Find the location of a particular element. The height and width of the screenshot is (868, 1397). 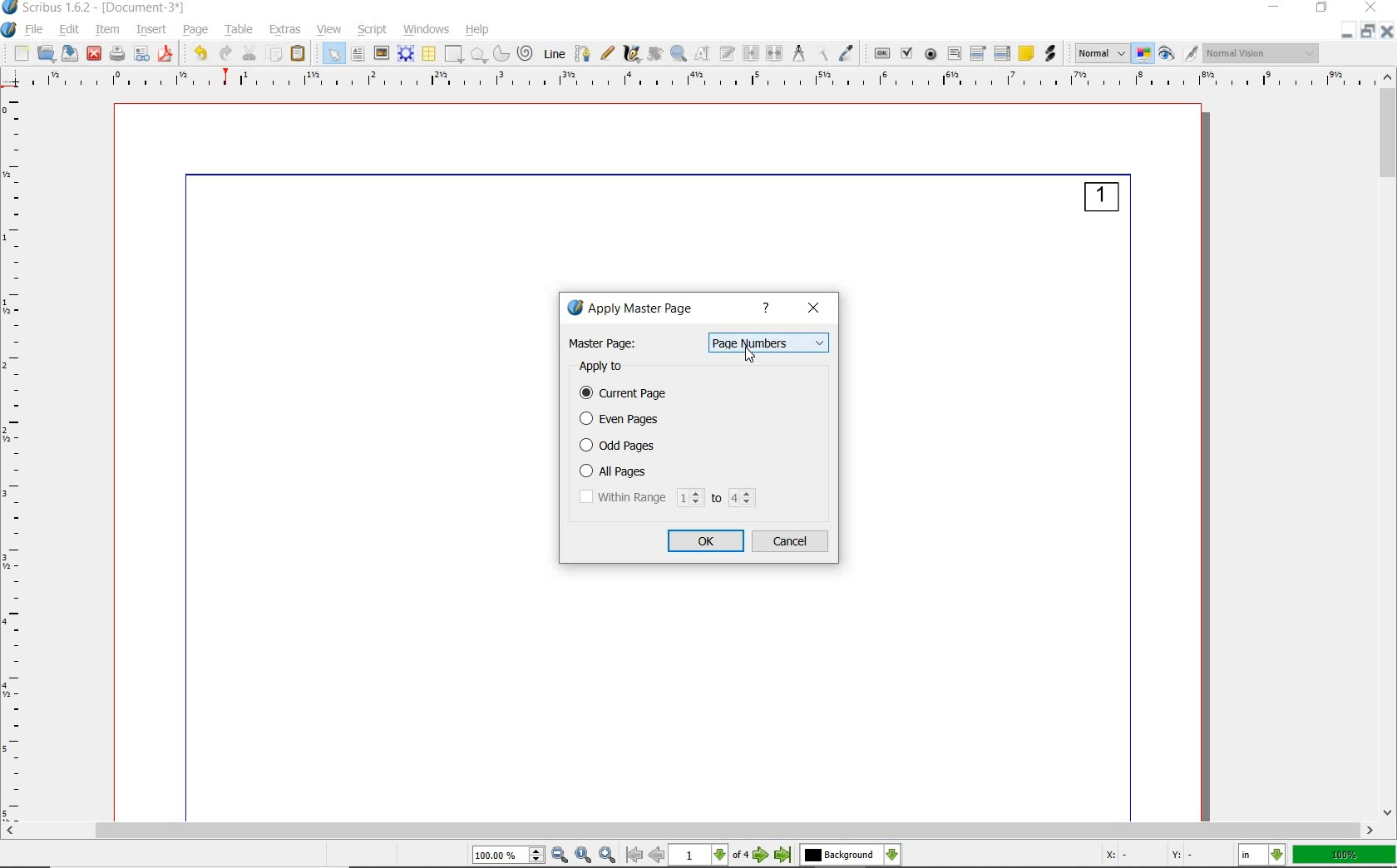

calligraphic line is located at coordinates (632, 55).